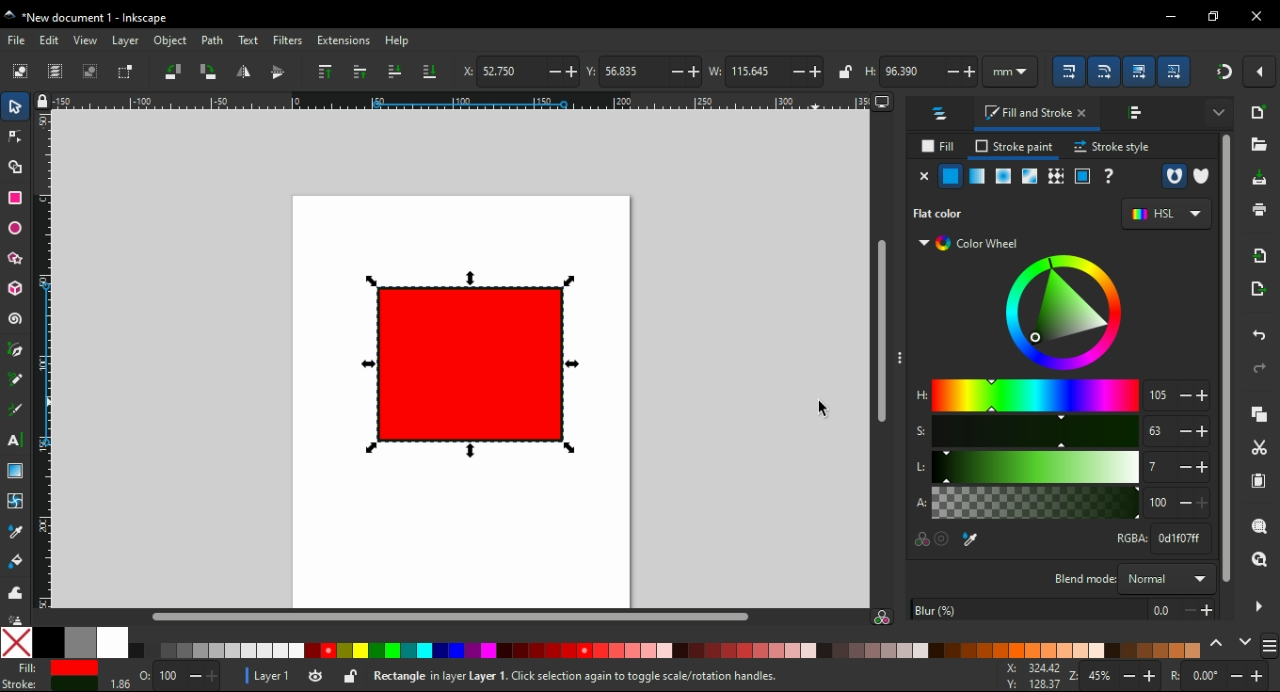 The width and height of the screenshot is (1280, 692). What do you see at coordinates (1015, 147) in the screenshot?
I see `stroke paint` at bounding box center [1015, 147].